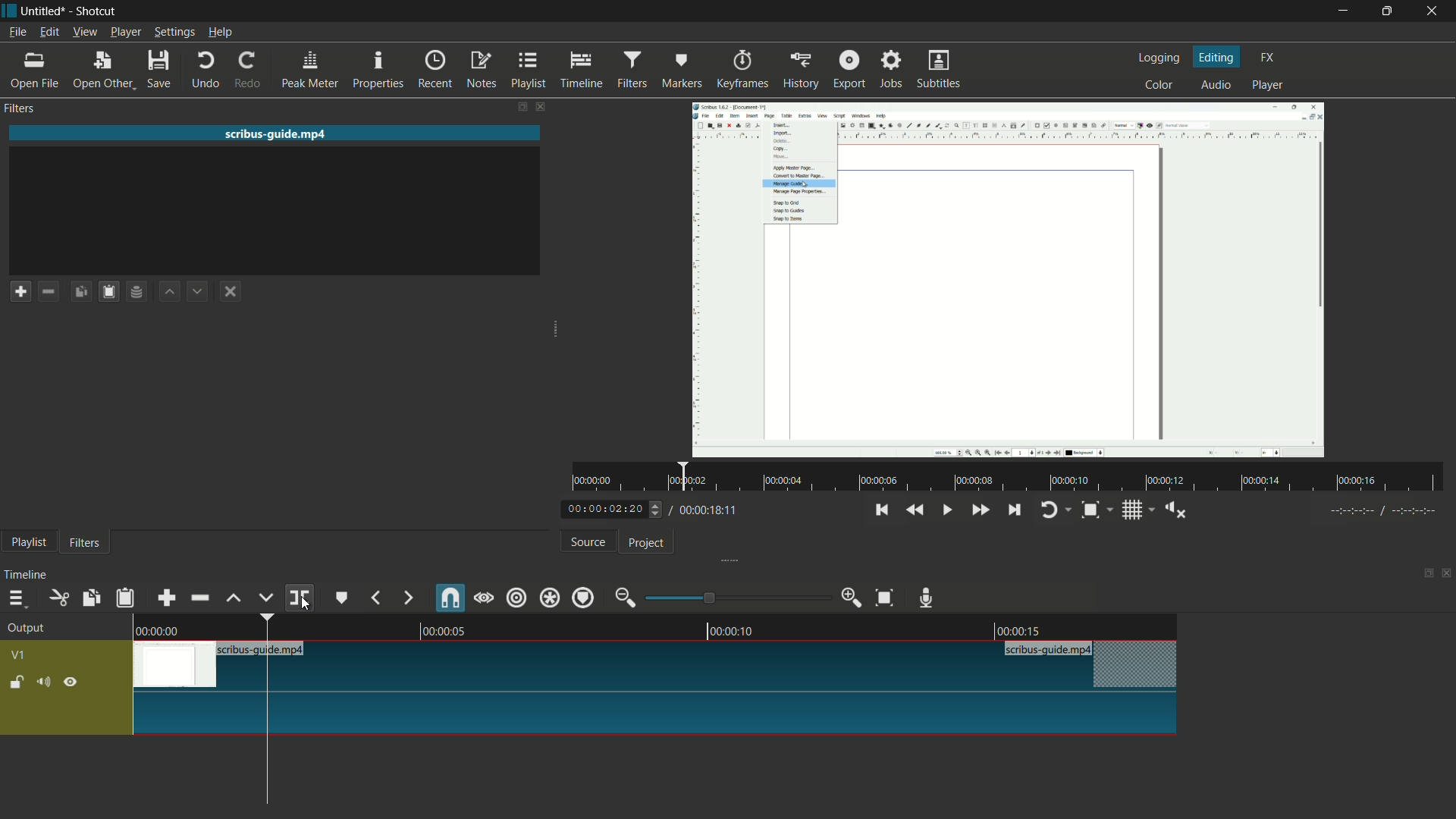  What do you see at coordinates (1216, 86) in the screenshot?
I see `audio` at bounding box center [1216, 86].